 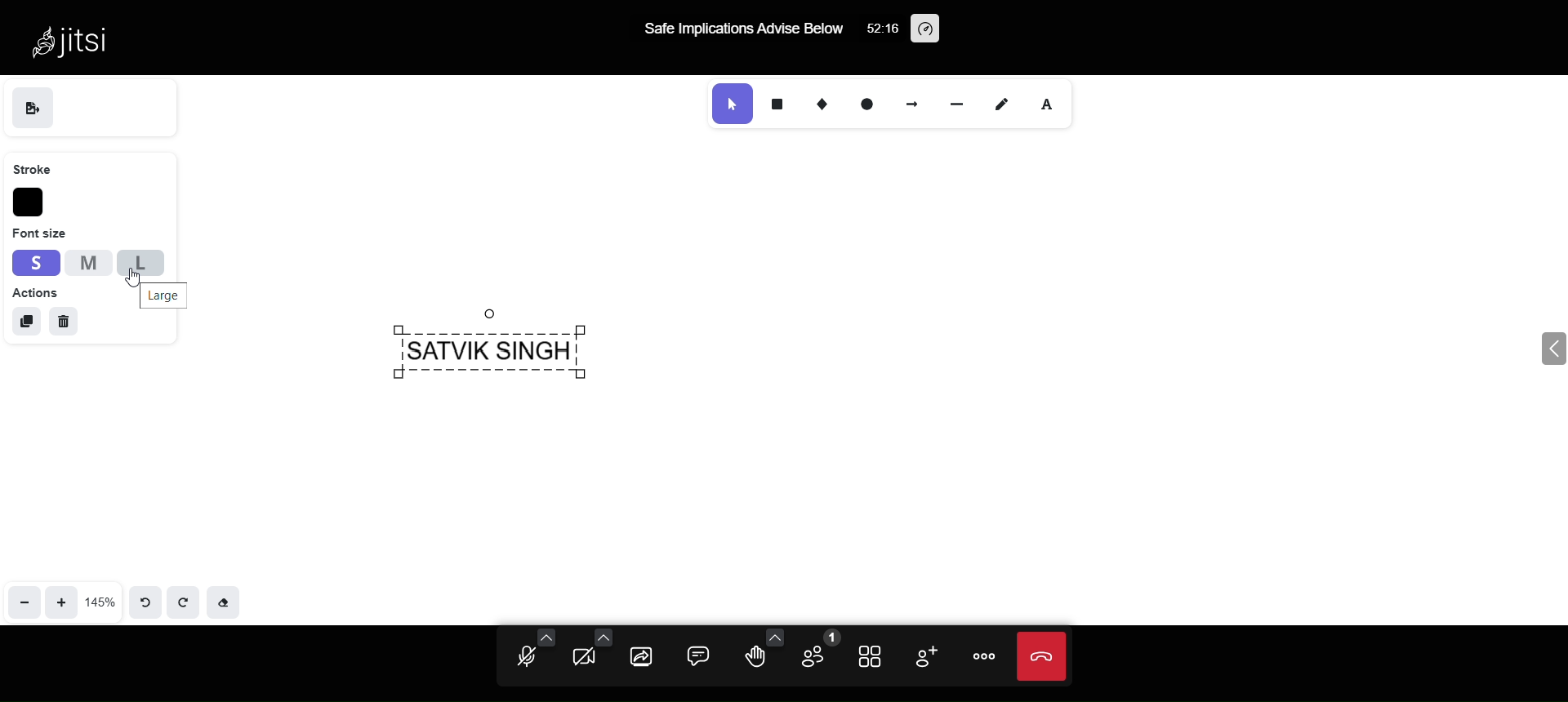 What do you see at coordinates (818, 649) in the screenshot?
I see `participants` at bounding box center [818, 649].